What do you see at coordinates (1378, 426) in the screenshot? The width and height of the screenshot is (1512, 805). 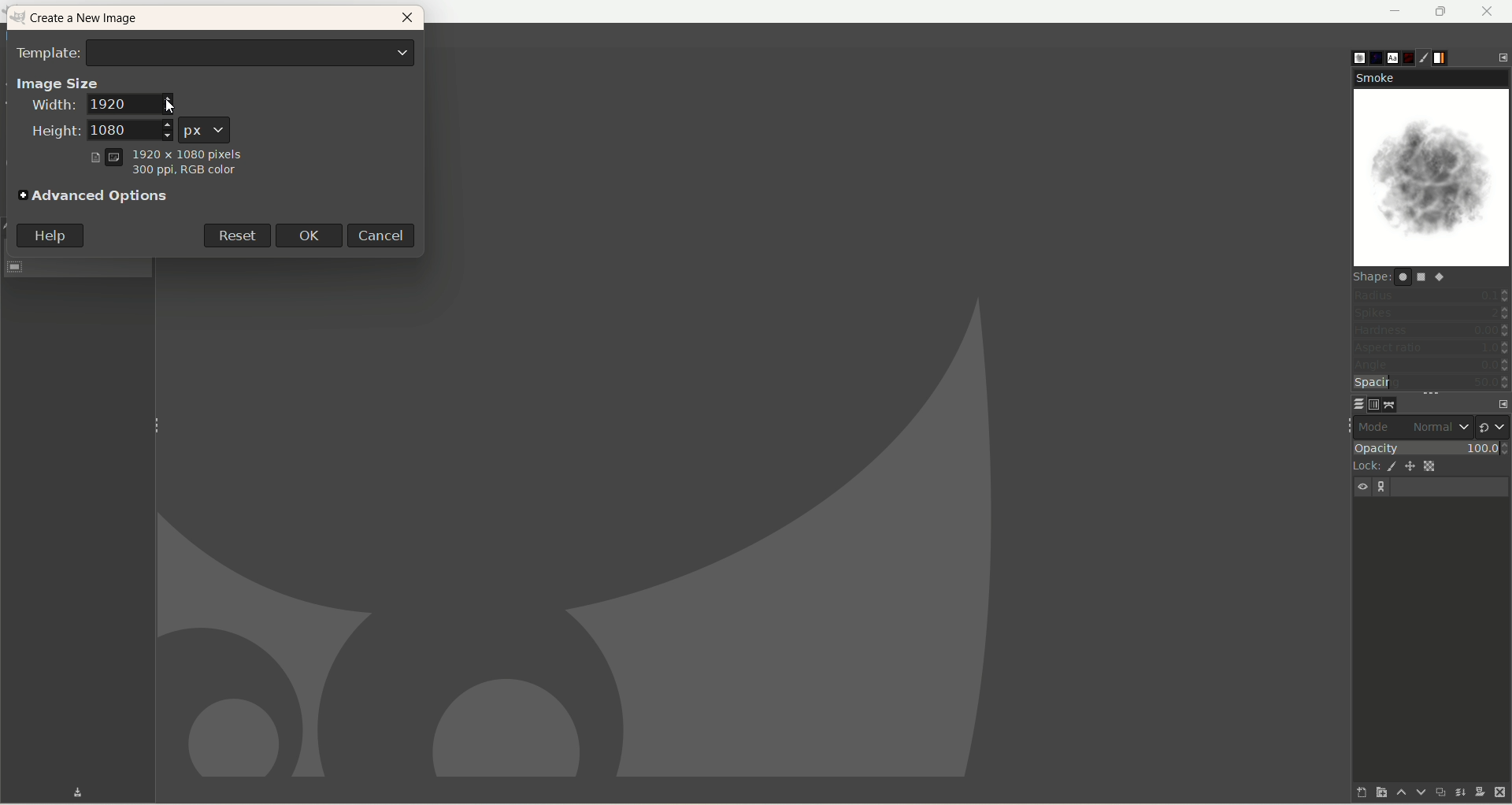 I see `mode` at bounding box center [1378, 426].